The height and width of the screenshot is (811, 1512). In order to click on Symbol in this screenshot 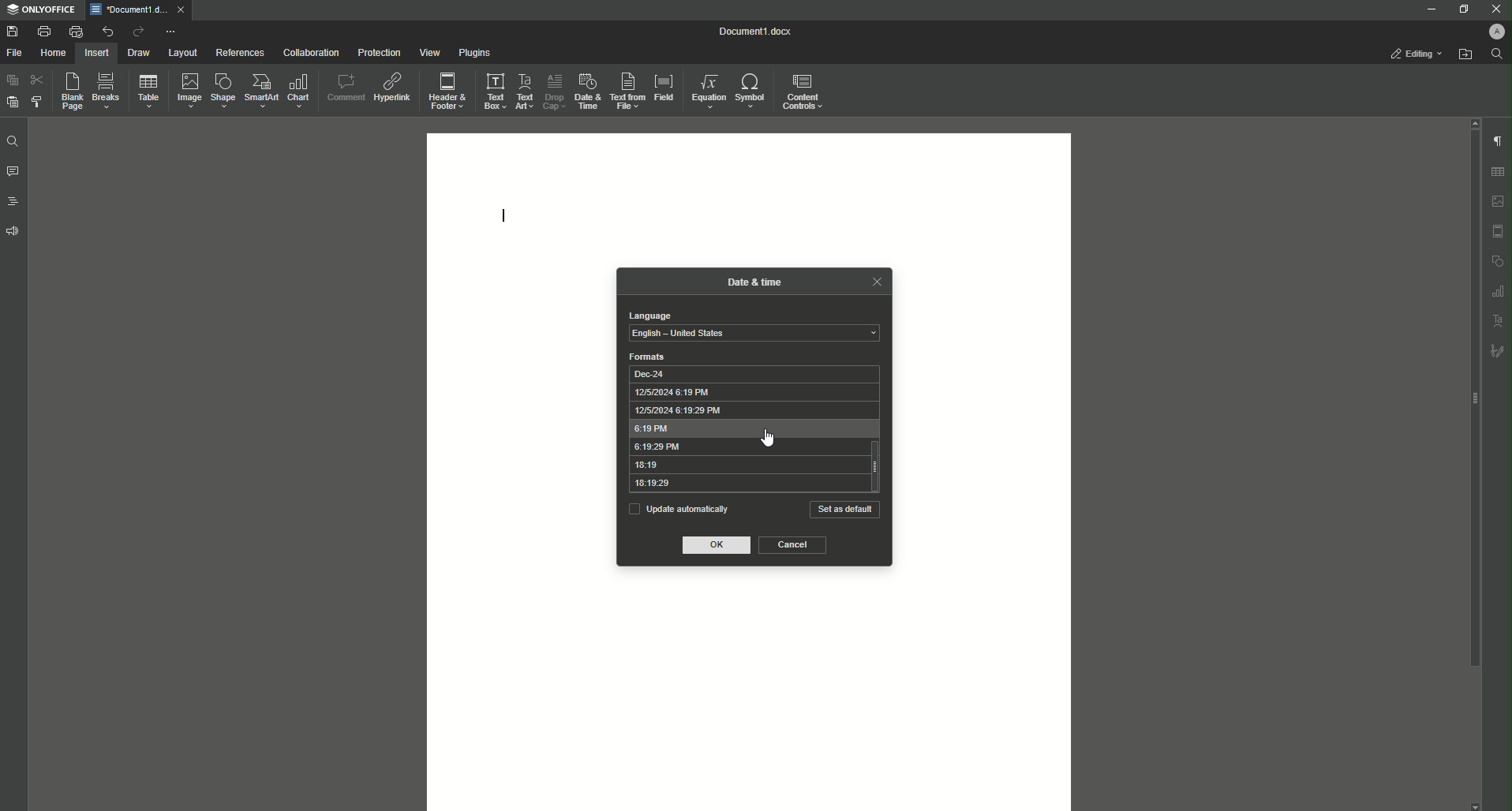, I will do `click(752, 92)`.